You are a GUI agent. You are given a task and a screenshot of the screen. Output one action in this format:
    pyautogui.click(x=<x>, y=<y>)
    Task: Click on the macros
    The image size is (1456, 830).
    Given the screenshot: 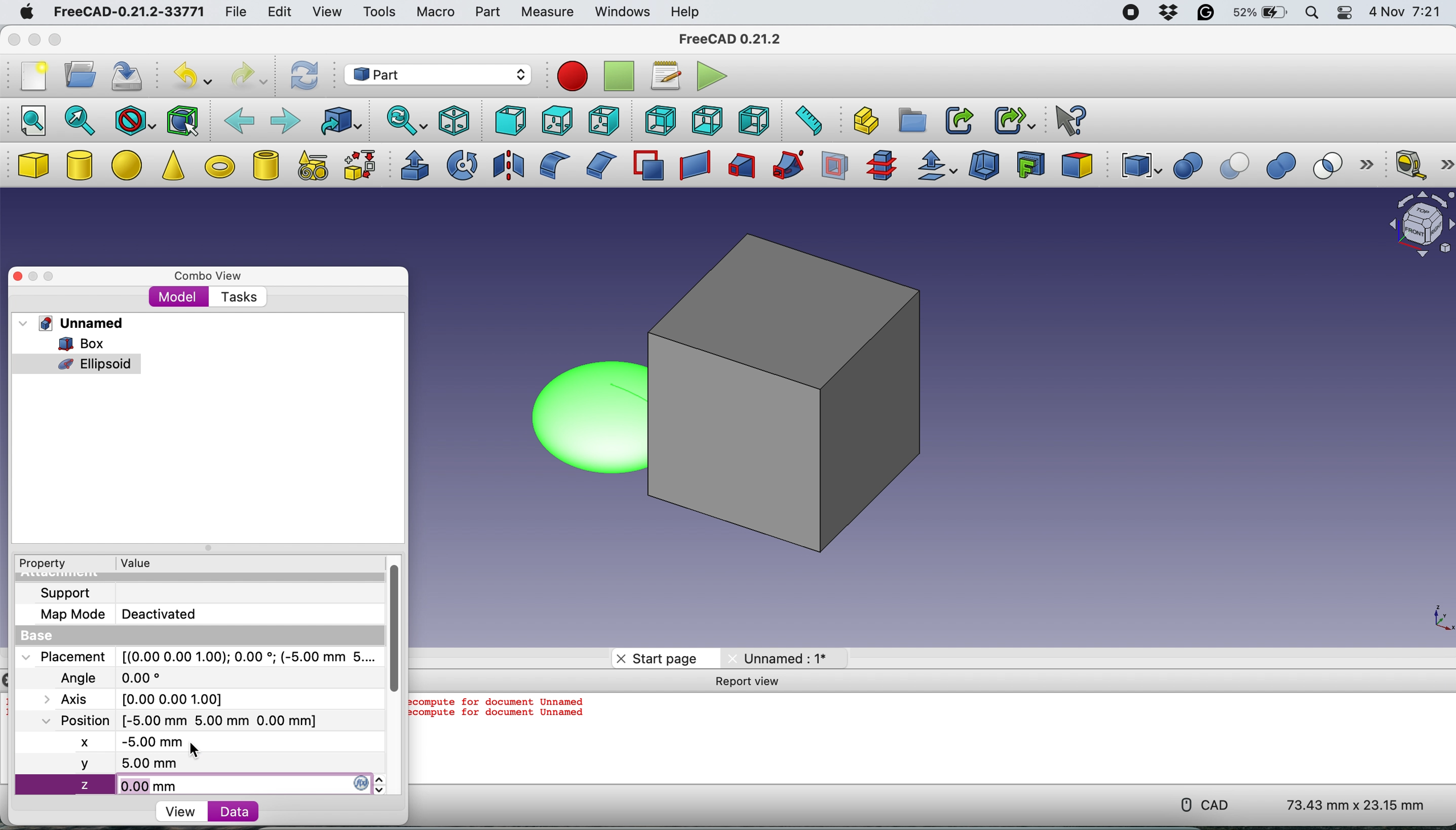 What is the action you would take?
    pyautogui.click(x=663, y=76)
    